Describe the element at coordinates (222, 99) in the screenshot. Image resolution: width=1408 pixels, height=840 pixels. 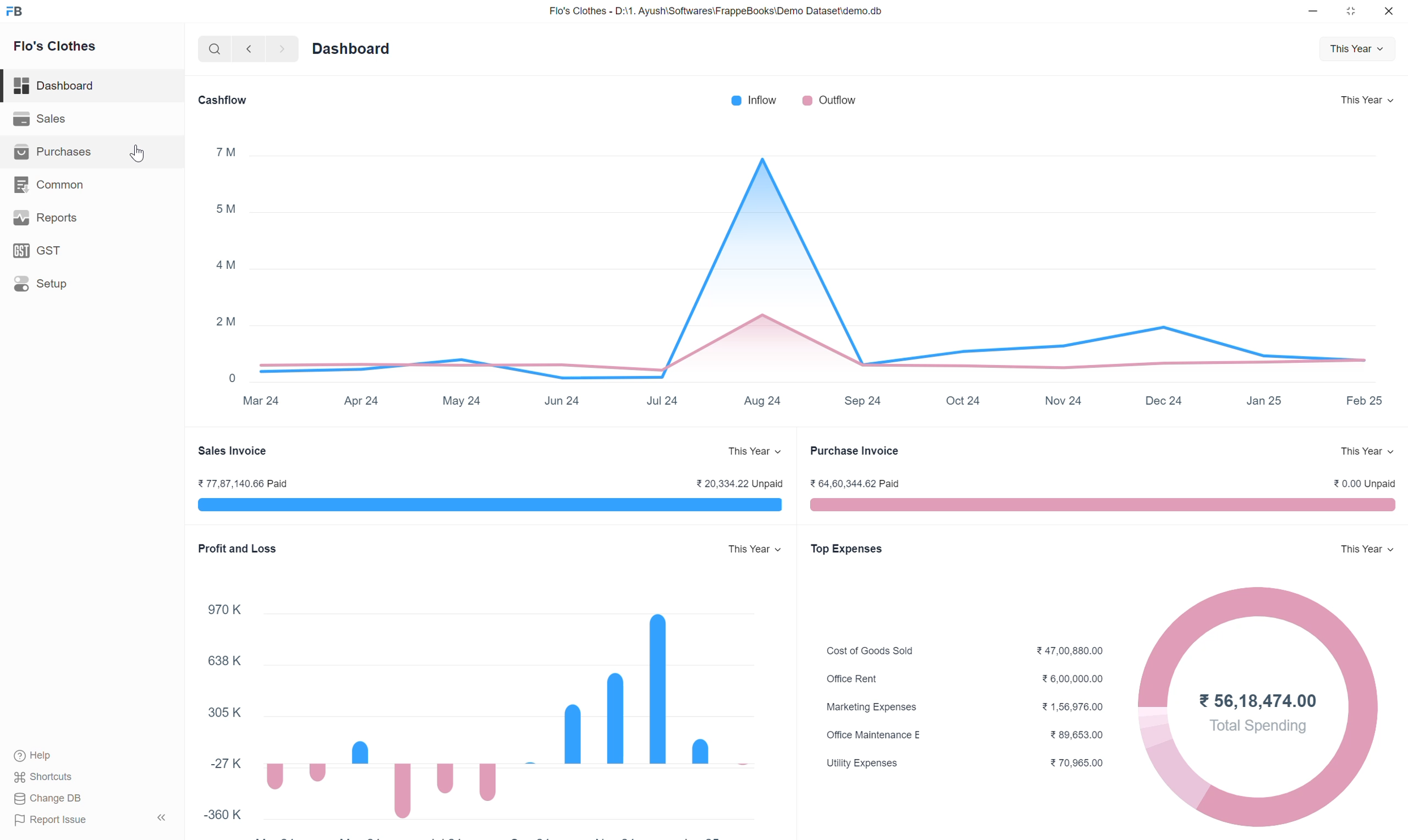
I see `Cashflow` at that location.